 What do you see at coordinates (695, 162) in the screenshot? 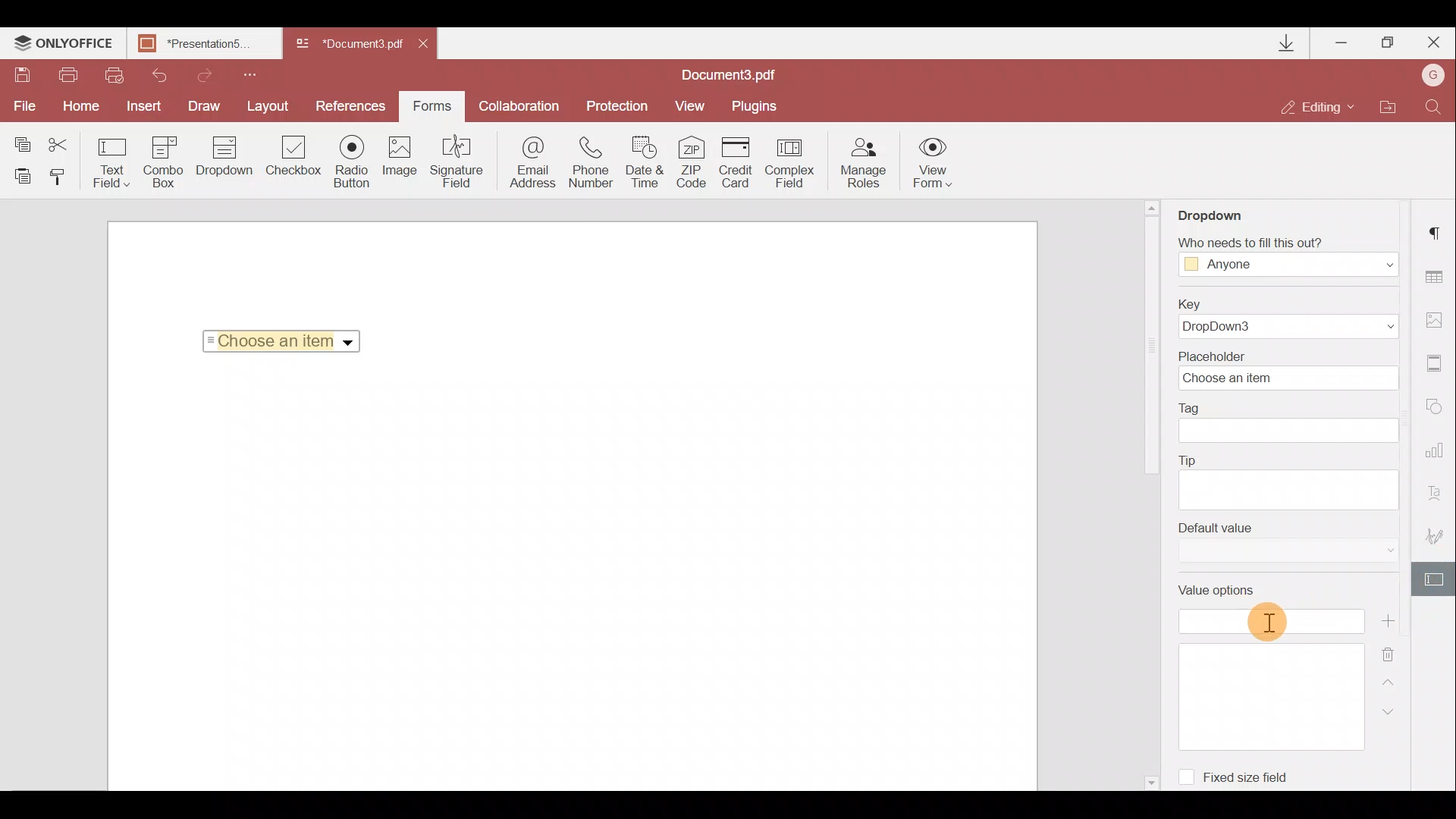
I see `ZIP code` at bounding box center [695, 162].